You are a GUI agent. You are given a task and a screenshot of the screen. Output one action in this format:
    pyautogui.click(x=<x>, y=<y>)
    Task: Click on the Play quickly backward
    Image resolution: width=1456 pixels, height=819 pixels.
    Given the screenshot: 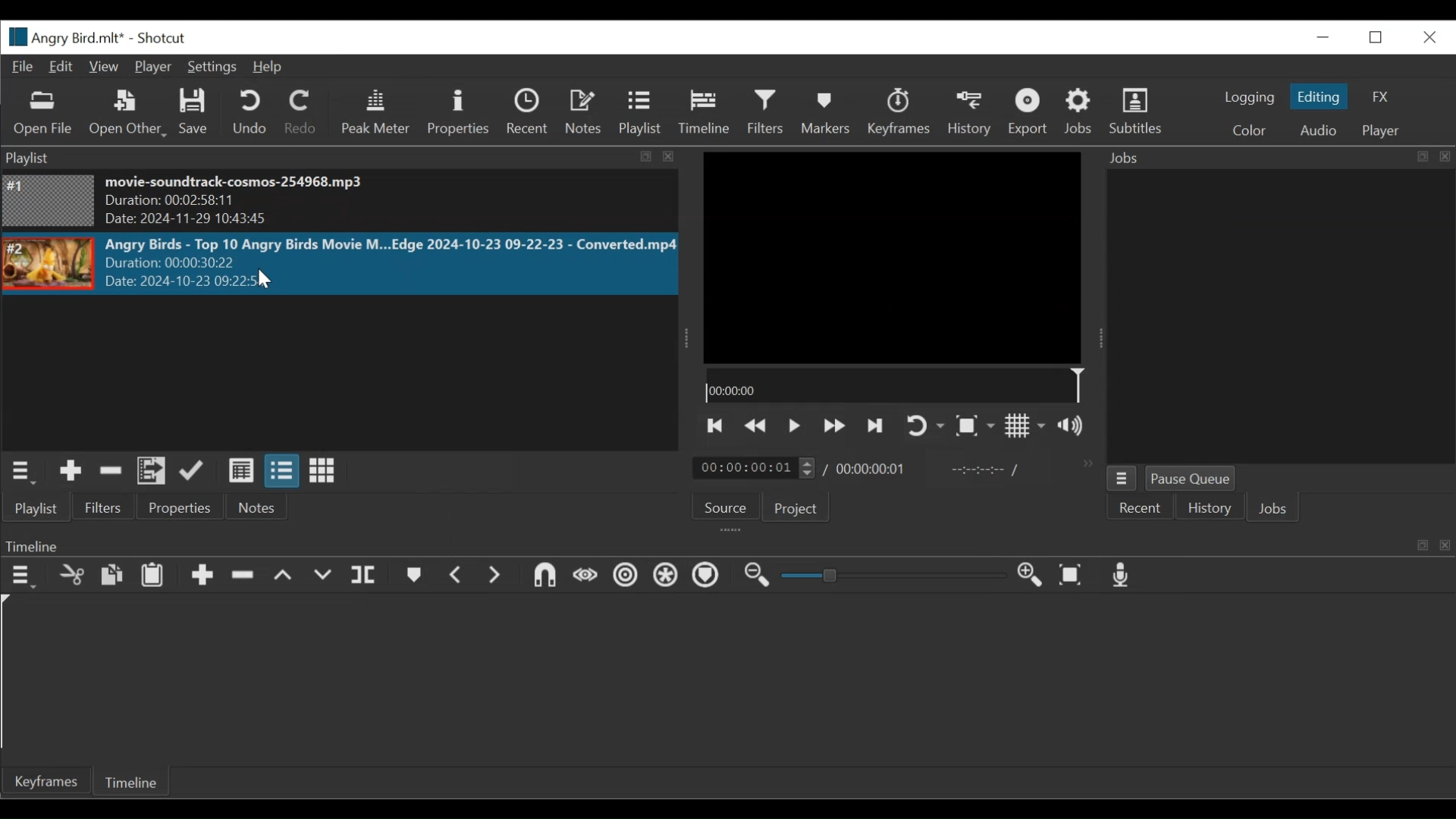 What is the action you would take?
    pyautogui.click(x=758, y=426)
    